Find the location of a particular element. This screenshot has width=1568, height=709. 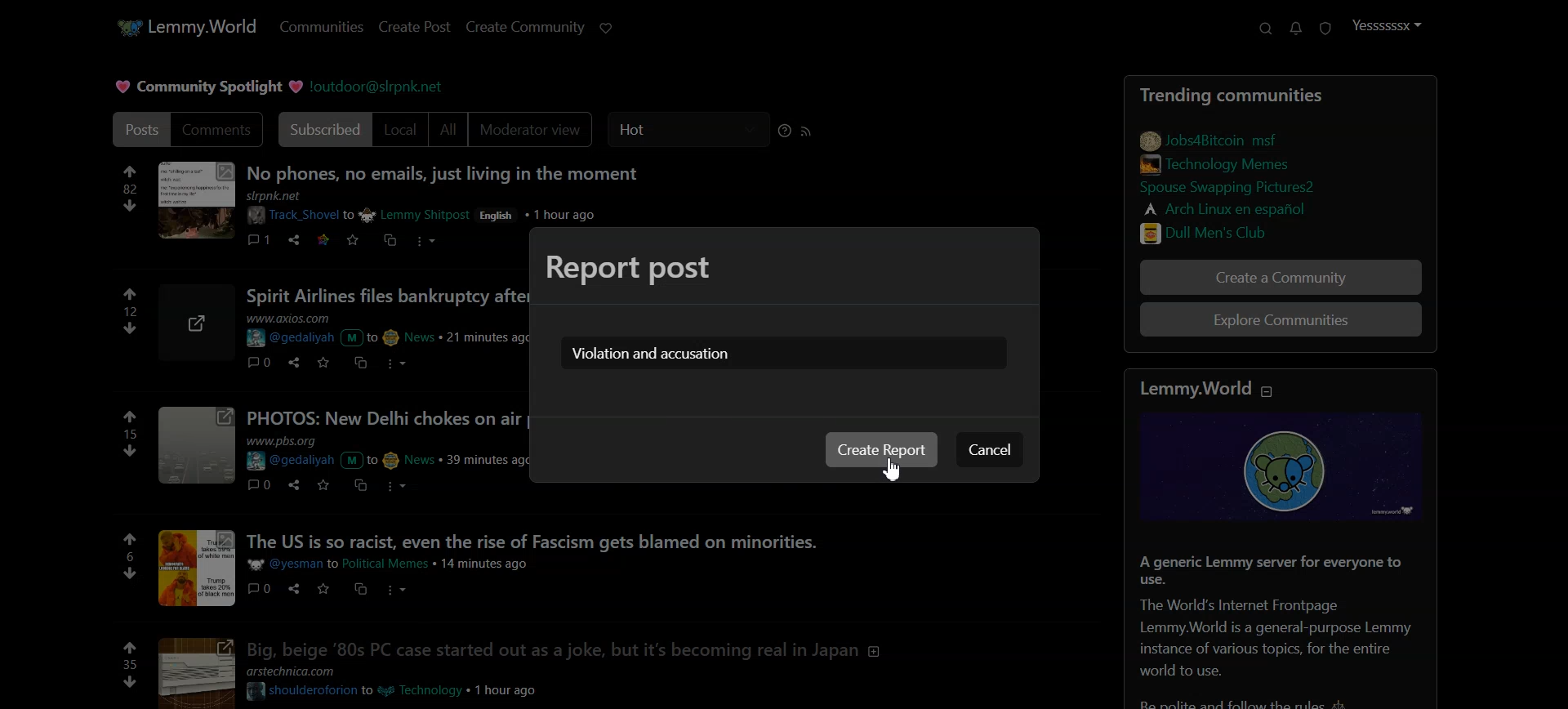

Post is located at coordinates (136, 129).